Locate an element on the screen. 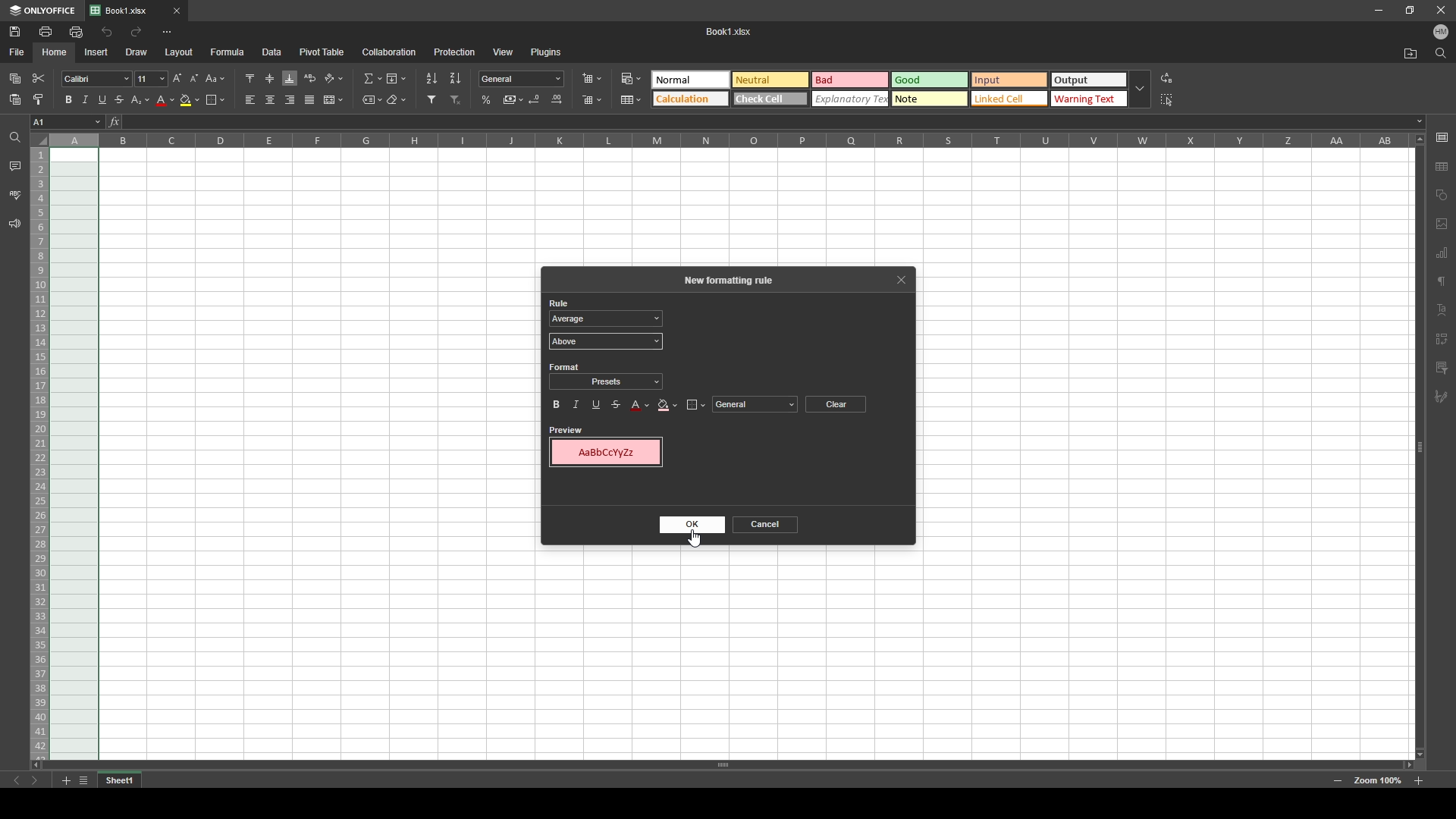  collaboration is located at coordinates (389, 52).